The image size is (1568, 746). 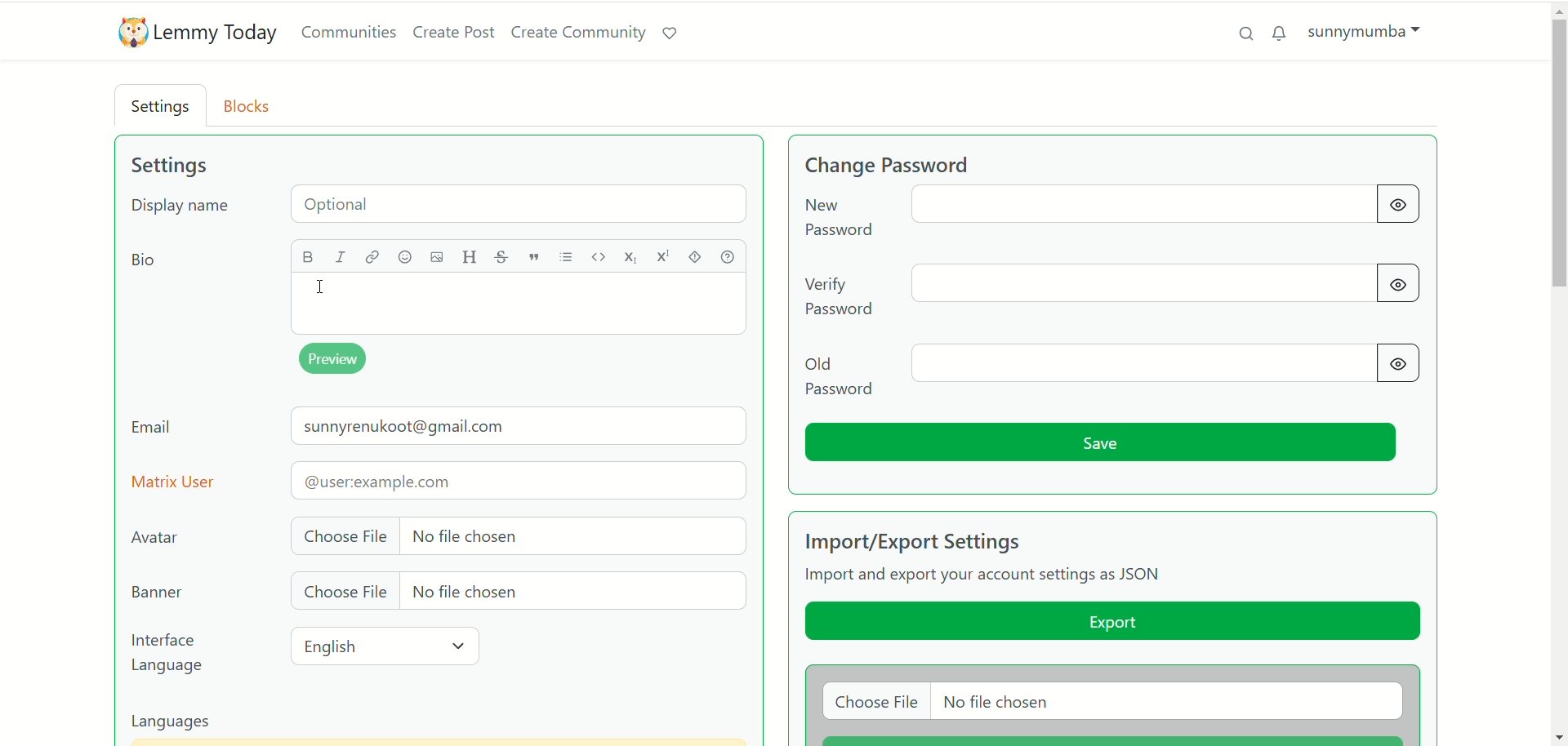 What do you see at coordinates (163, 108) in the screenshot?
I see `settings` at bounding box center [163, 108].